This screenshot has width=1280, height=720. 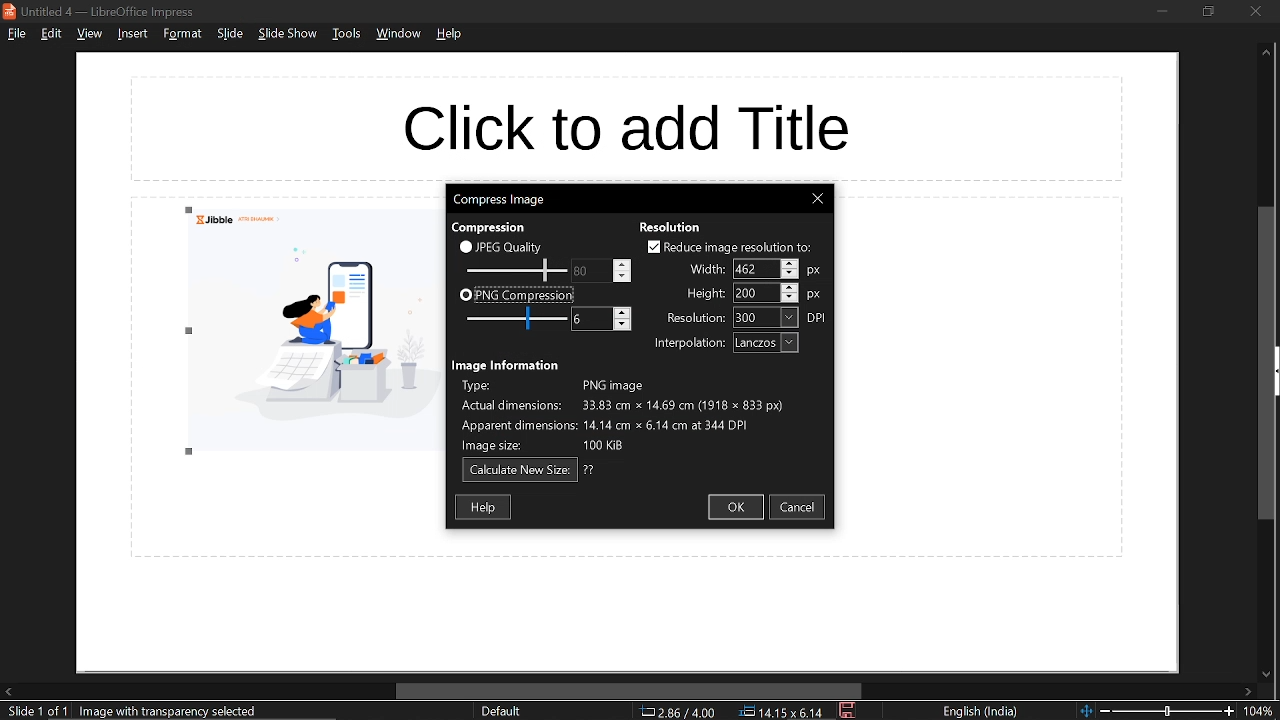 I want to click on Change PNG compression, so click(x=591, y=318).